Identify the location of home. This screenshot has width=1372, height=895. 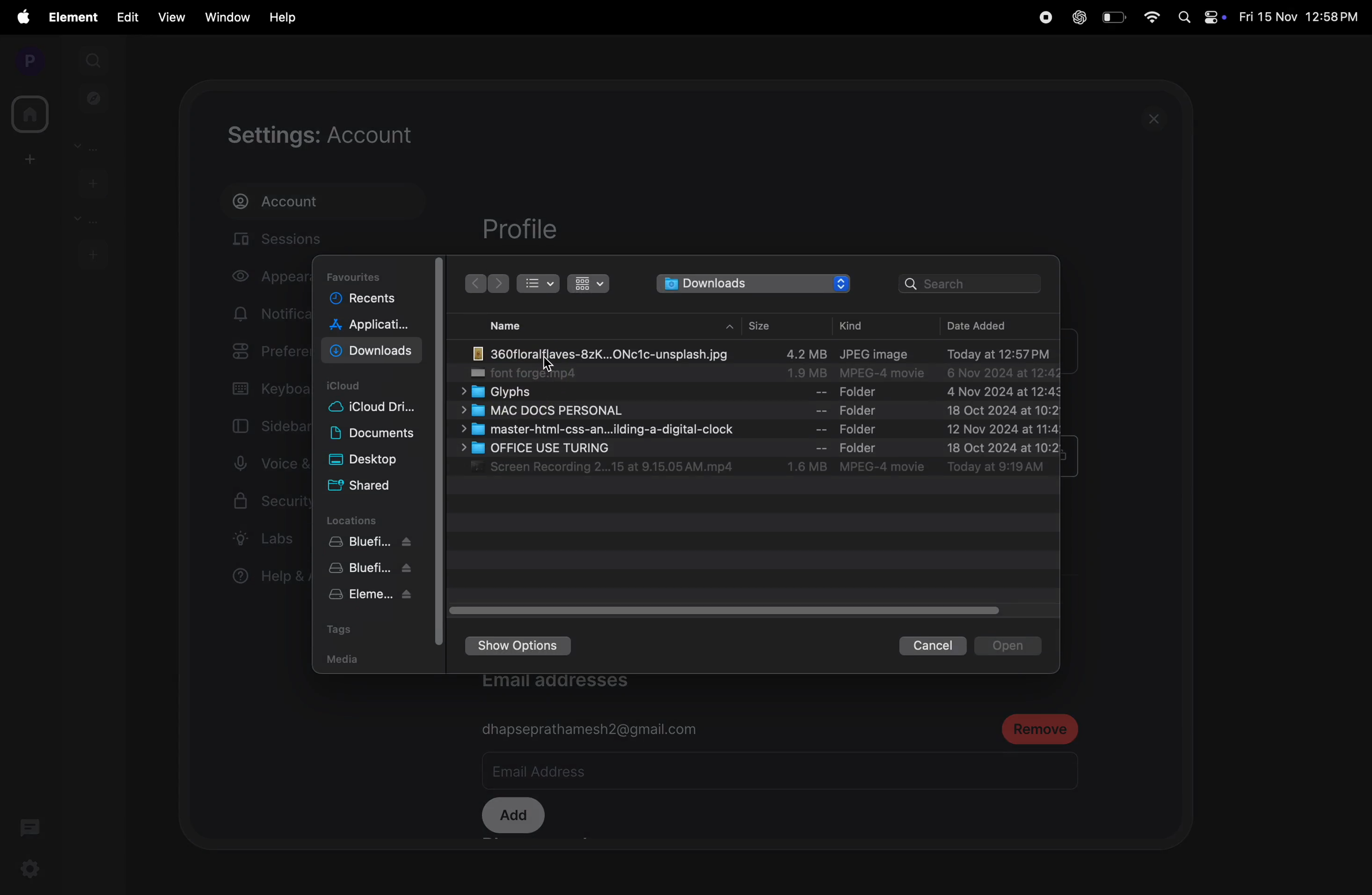
(28, 114).